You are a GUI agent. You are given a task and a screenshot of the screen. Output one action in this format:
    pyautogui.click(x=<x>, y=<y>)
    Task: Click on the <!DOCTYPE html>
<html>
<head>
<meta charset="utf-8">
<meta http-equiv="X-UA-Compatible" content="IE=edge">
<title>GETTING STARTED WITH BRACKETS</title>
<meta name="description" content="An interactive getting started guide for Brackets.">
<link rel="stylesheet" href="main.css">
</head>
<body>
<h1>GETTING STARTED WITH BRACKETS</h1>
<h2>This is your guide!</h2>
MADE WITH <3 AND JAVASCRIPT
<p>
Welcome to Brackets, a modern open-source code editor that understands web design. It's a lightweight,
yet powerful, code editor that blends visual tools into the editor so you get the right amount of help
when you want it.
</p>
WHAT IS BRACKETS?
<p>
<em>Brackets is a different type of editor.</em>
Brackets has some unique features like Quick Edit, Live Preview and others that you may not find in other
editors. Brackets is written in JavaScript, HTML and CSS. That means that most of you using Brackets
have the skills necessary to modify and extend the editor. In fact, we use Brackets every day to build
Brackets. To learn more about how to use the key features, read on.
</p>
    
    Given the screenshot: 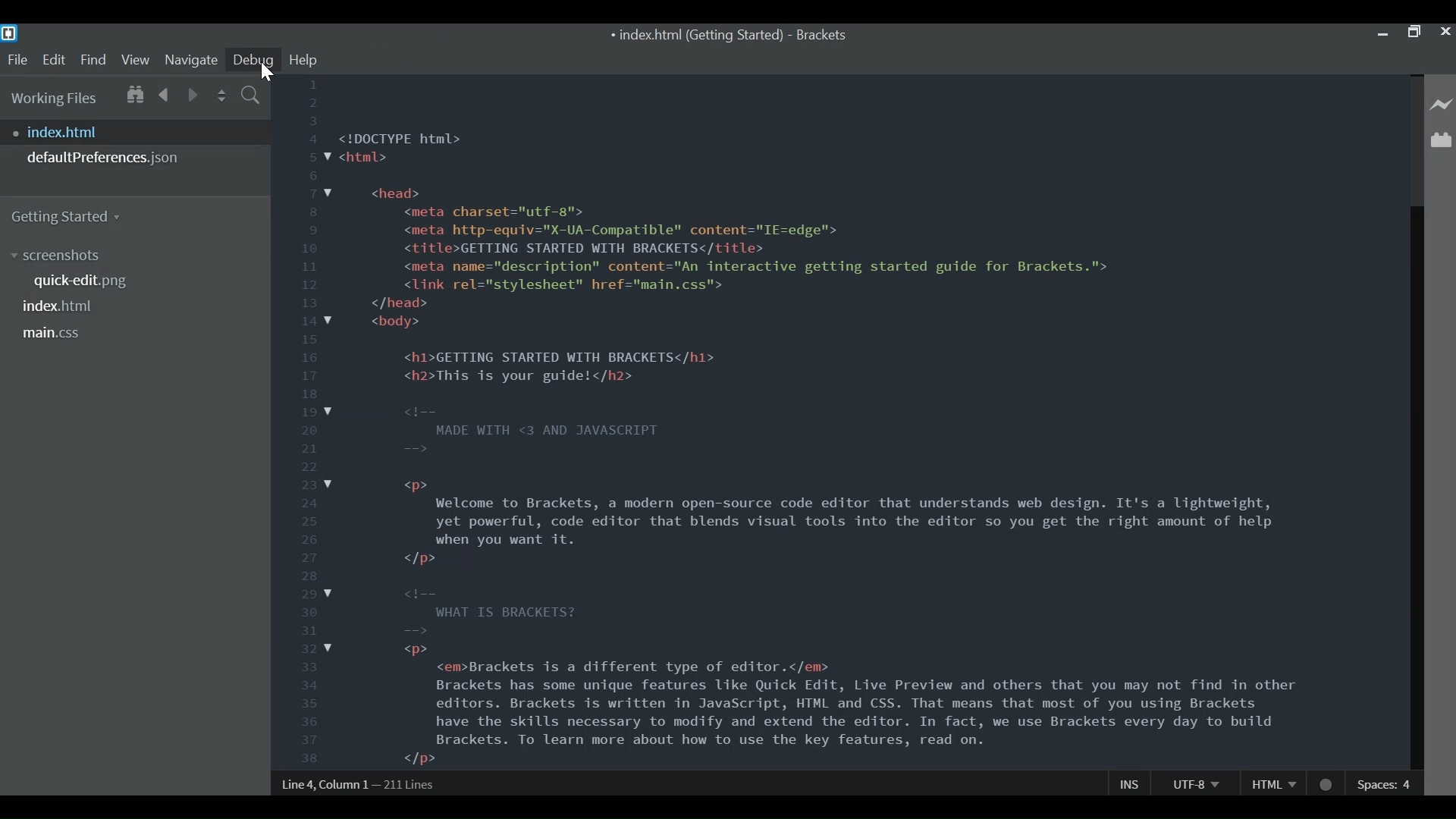 What is the action you would take?
    pyautogui.click(x=821, y=447)
    